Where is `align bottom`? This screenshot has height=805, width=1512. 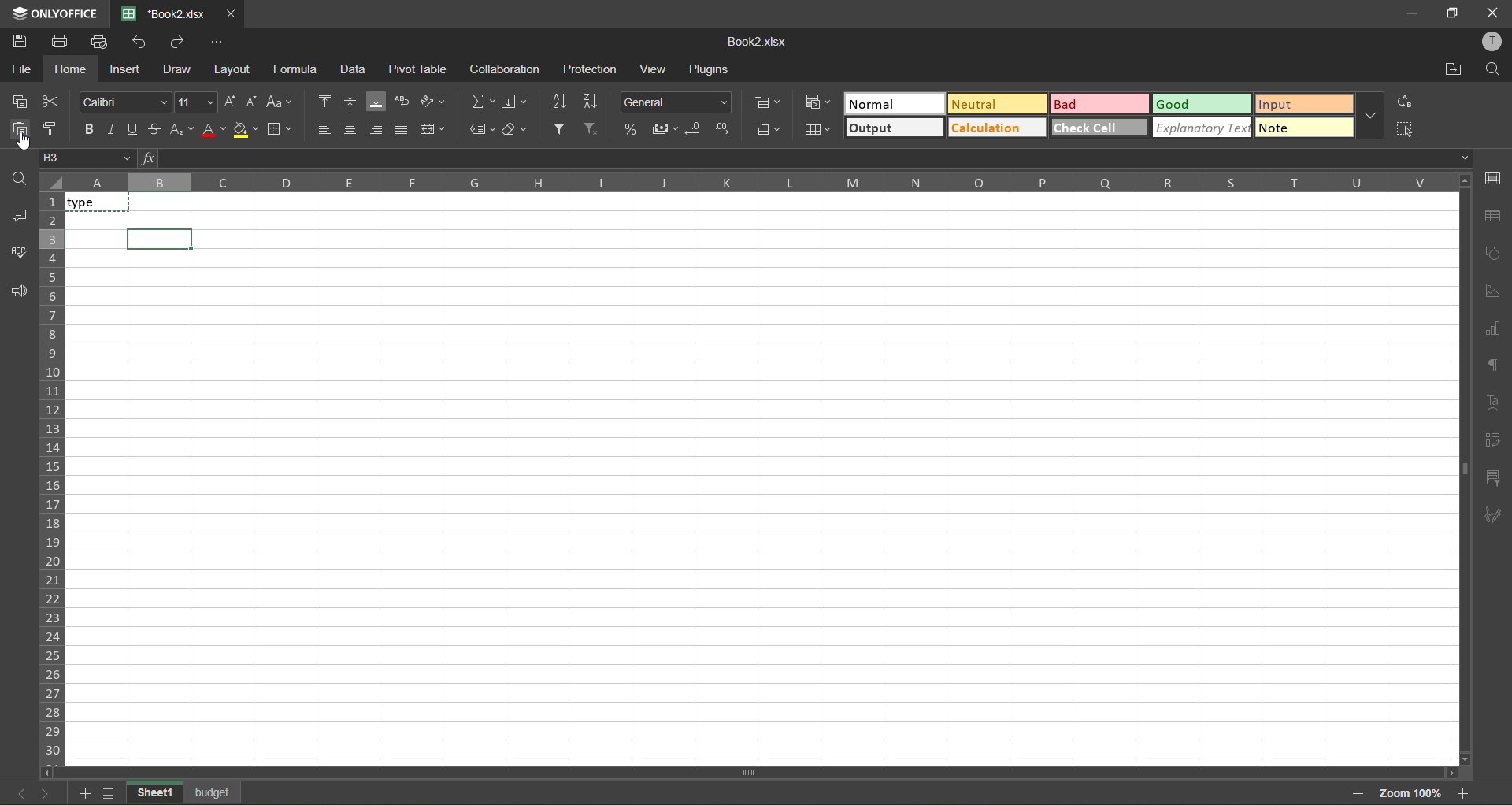 align bottom is located at coordinates (375, 101).